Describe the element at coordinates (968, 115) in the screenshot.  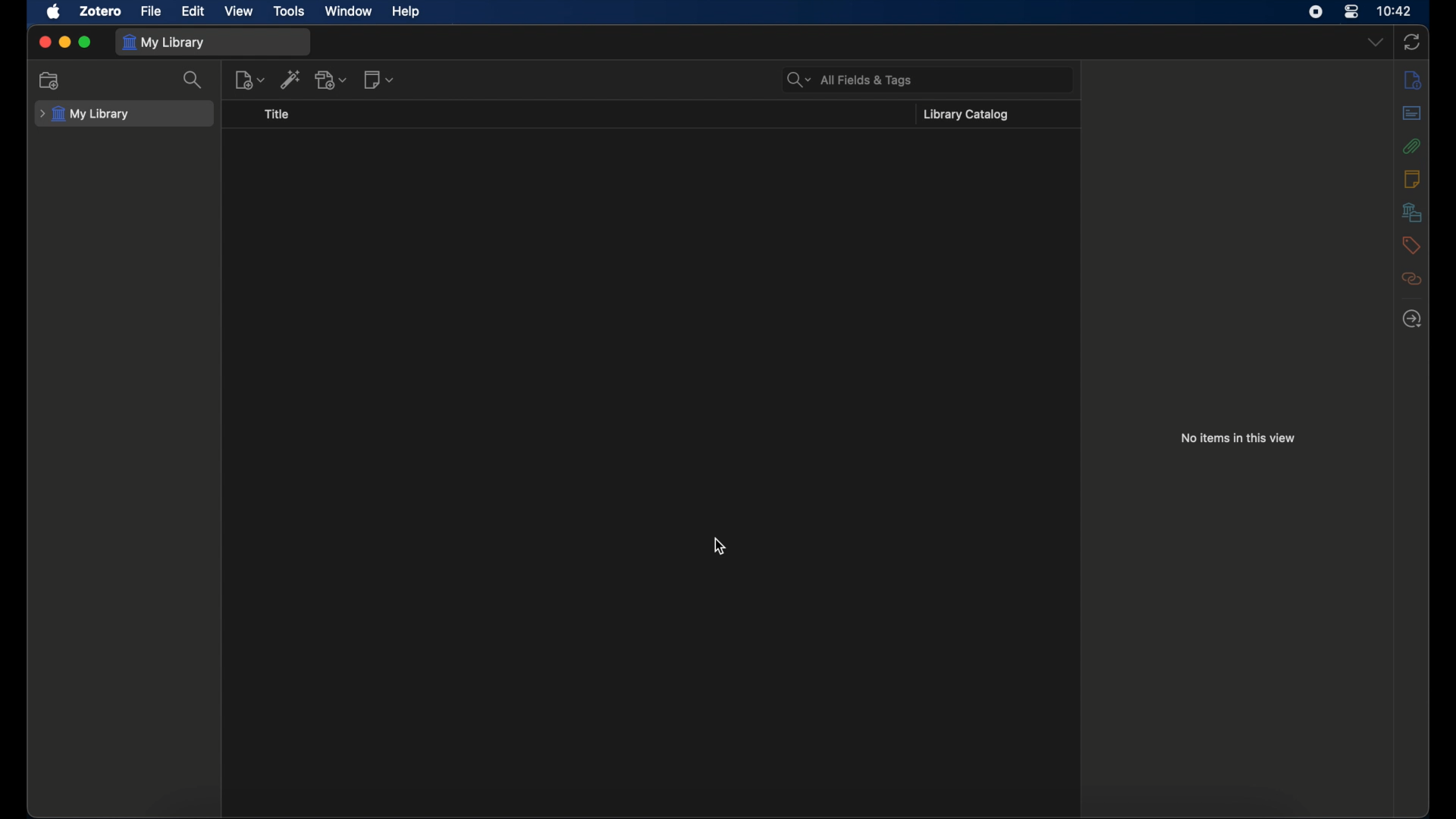
I see `library catalog` at that location.